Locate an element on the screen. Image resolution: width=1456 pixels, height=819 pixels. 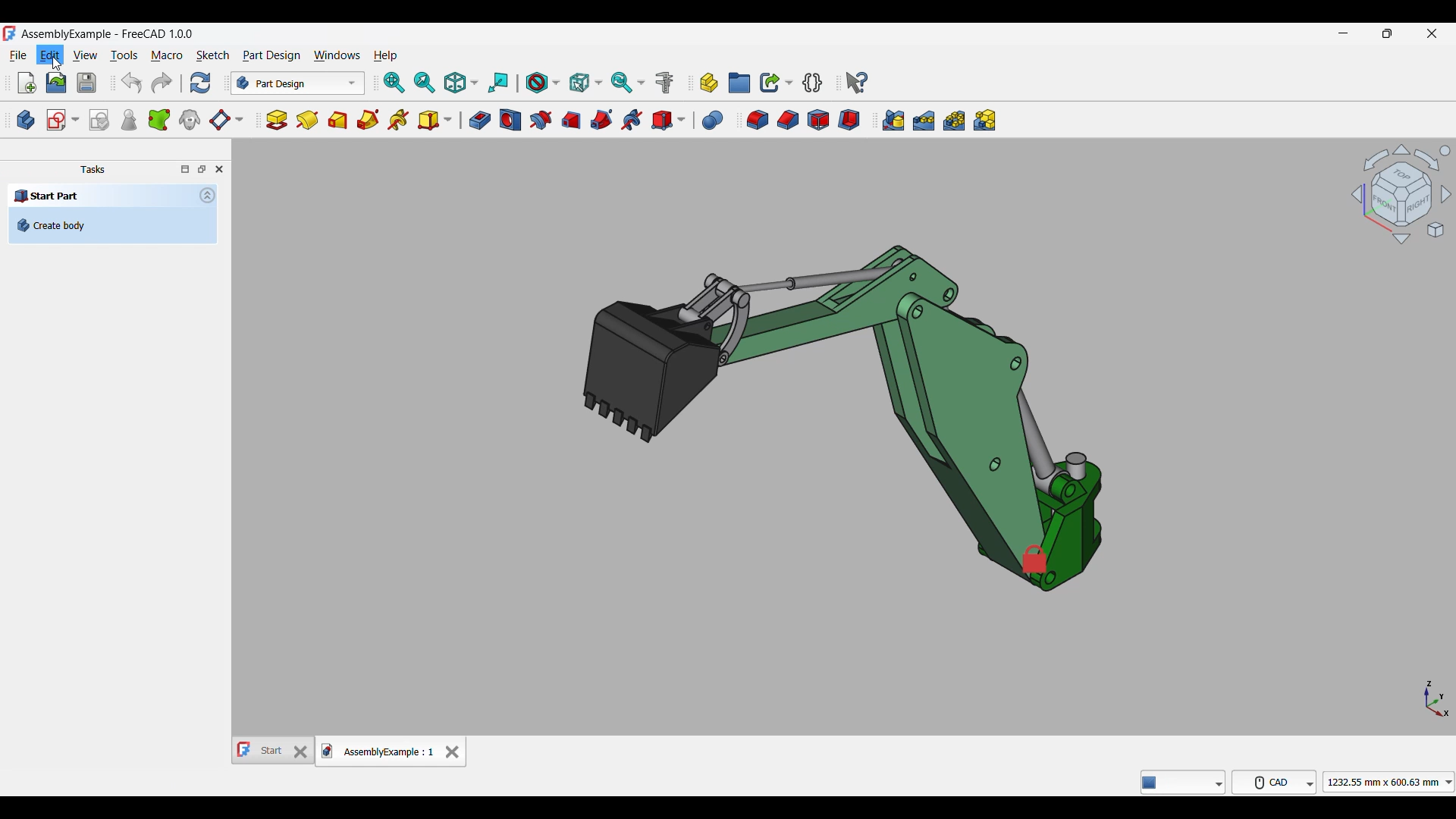
Edit menu is located at coordinates (50, 55).